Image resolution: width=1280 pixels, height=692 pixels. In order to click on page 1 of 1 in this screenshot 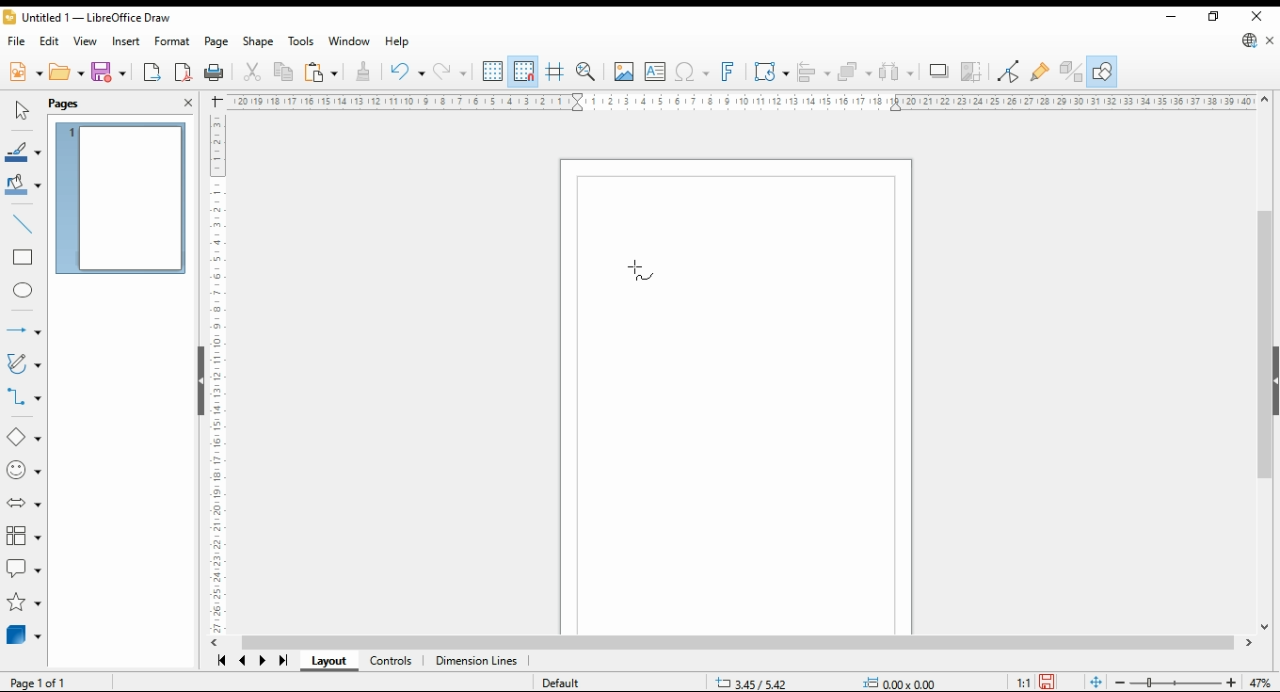, I will do `click(39, 680)`.